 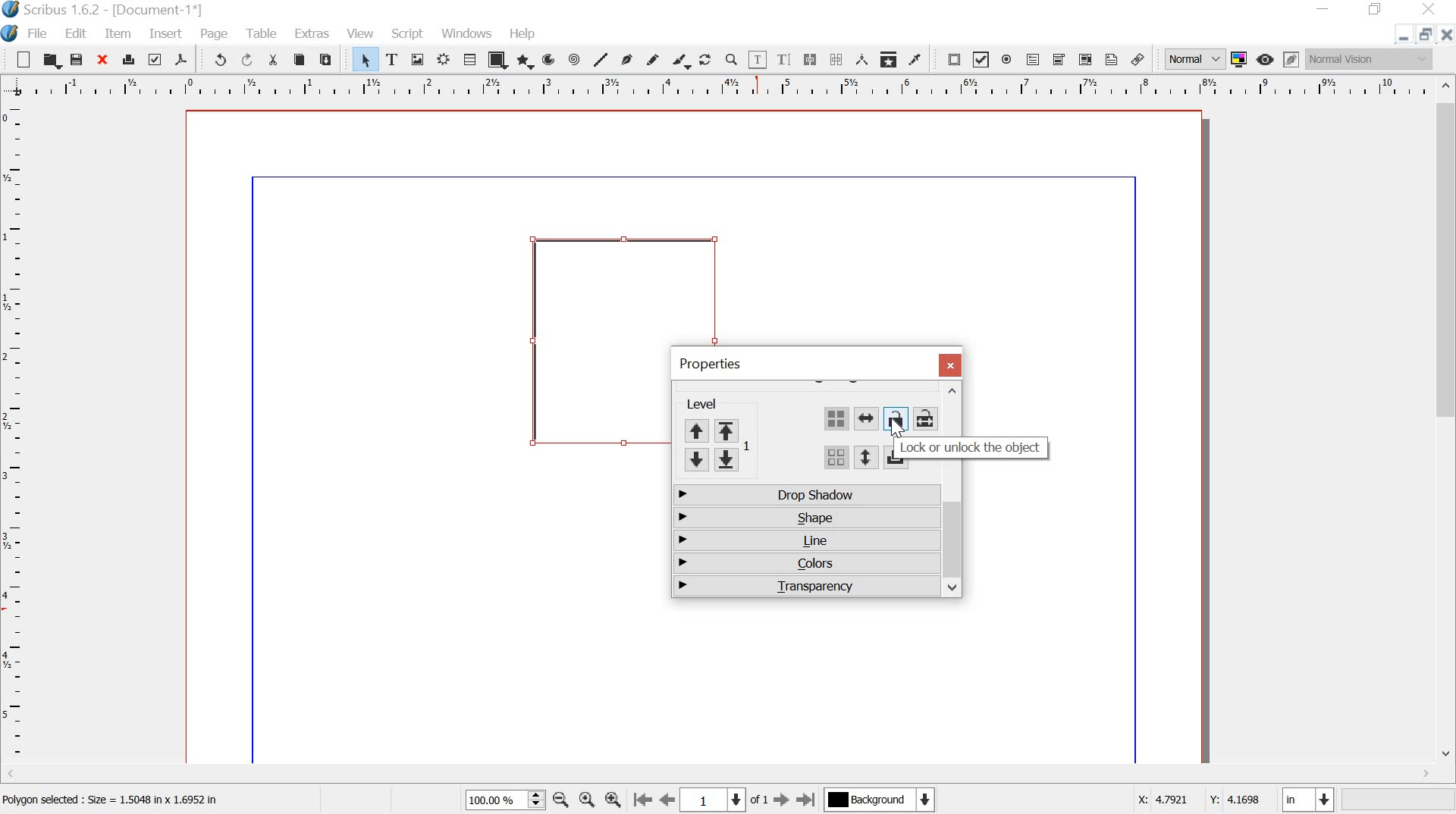 I want to click on polygon, so click(x=526, y=61).